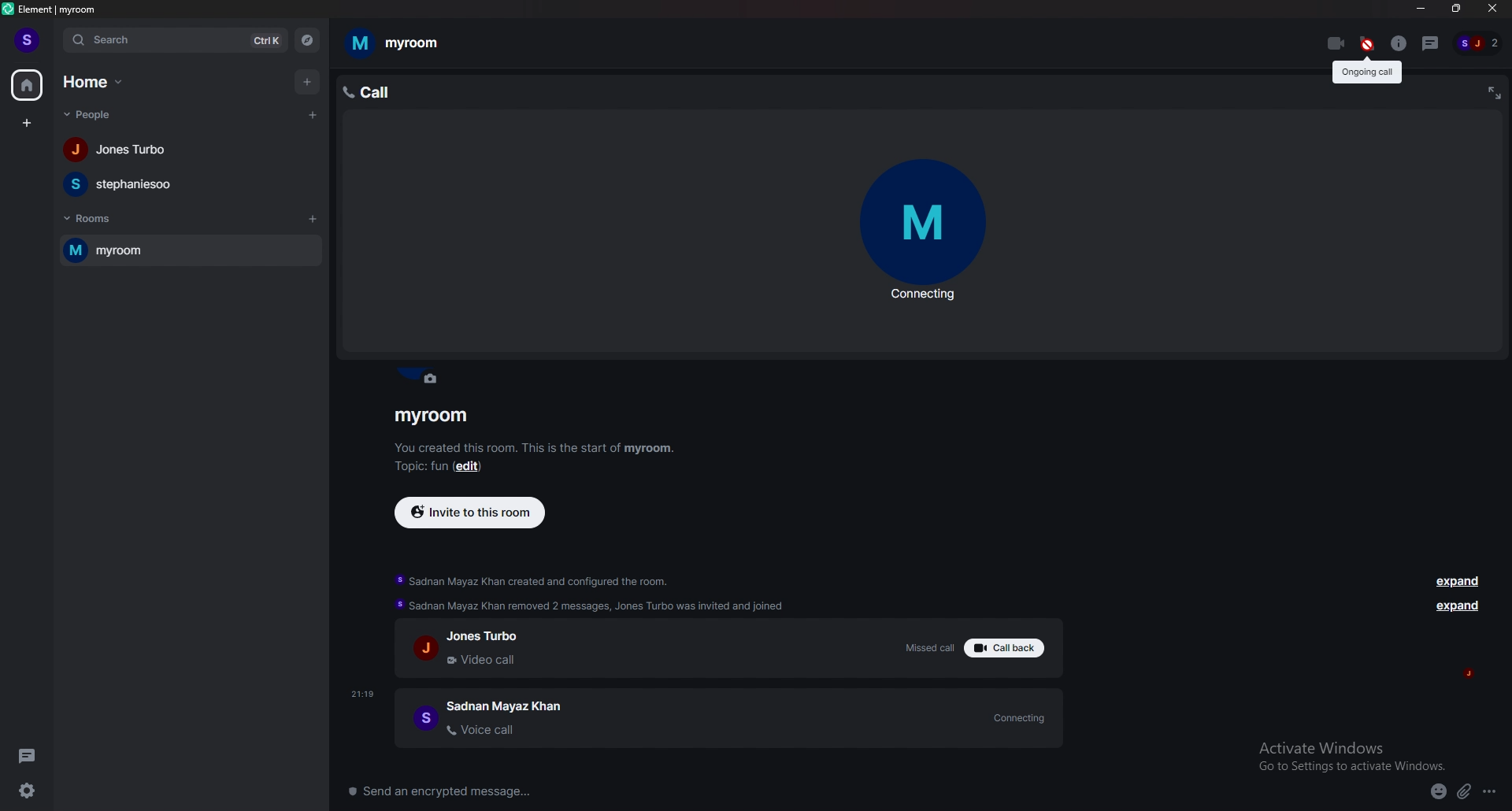  Describe the element at coordinates (31, 754) in the screenshot. I see `threads` at that location.